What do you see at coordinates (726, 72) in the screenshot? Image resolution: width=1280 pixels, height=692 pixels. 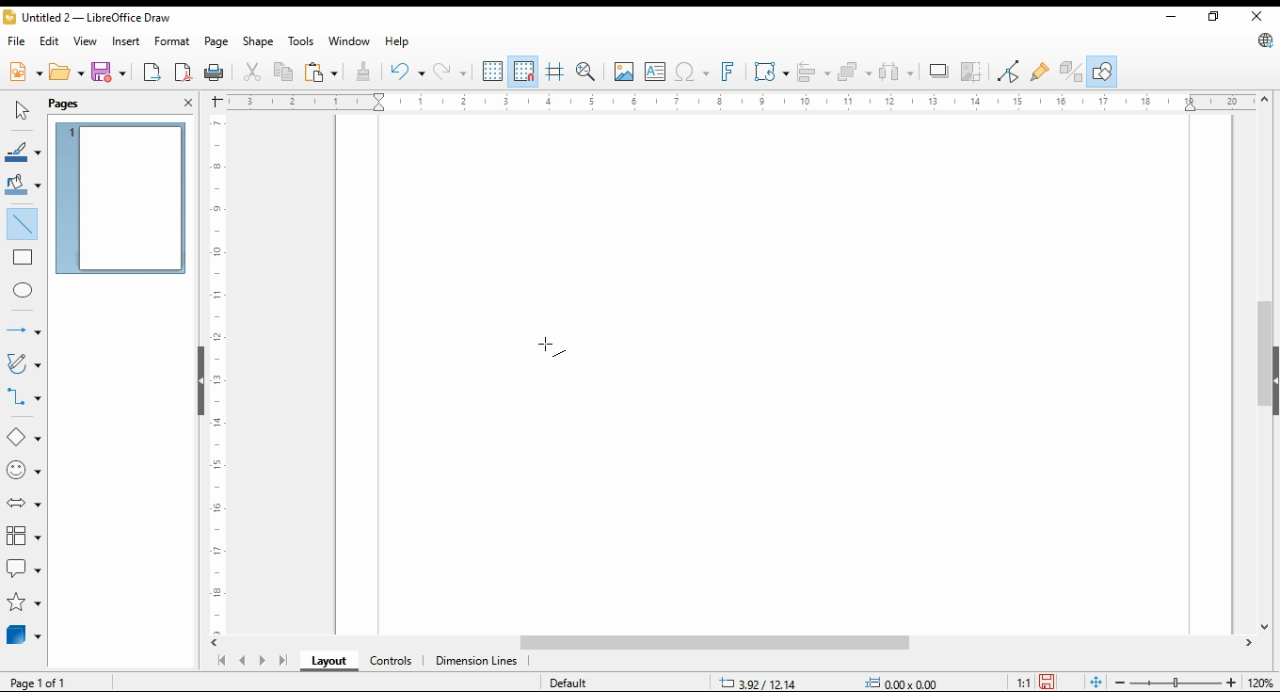 I see `insert fontwork text` at bounding box center [726, 72].